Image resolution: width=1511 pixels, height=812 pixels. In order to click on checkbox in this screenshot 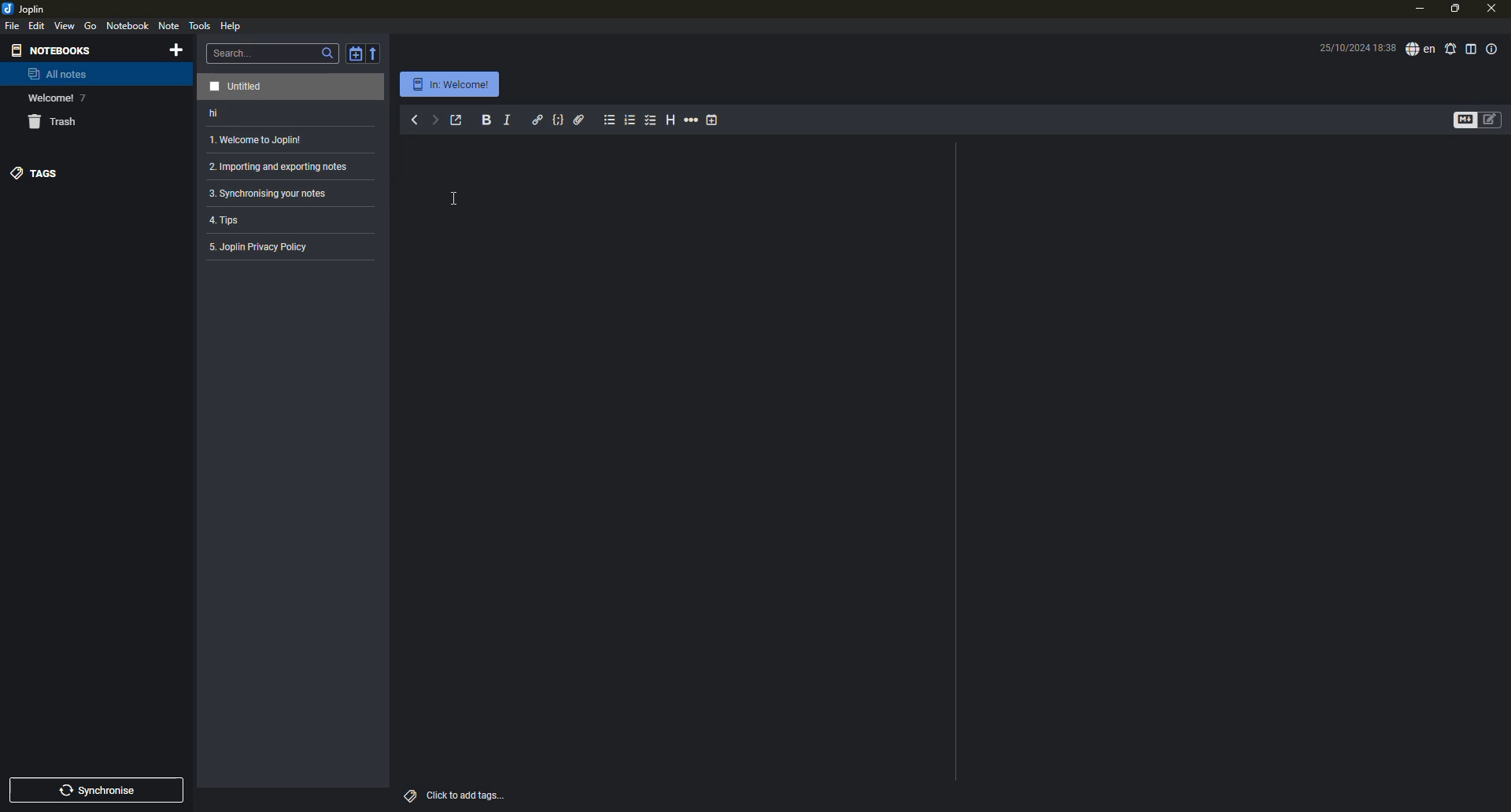, I will do `click(651, 120)`.